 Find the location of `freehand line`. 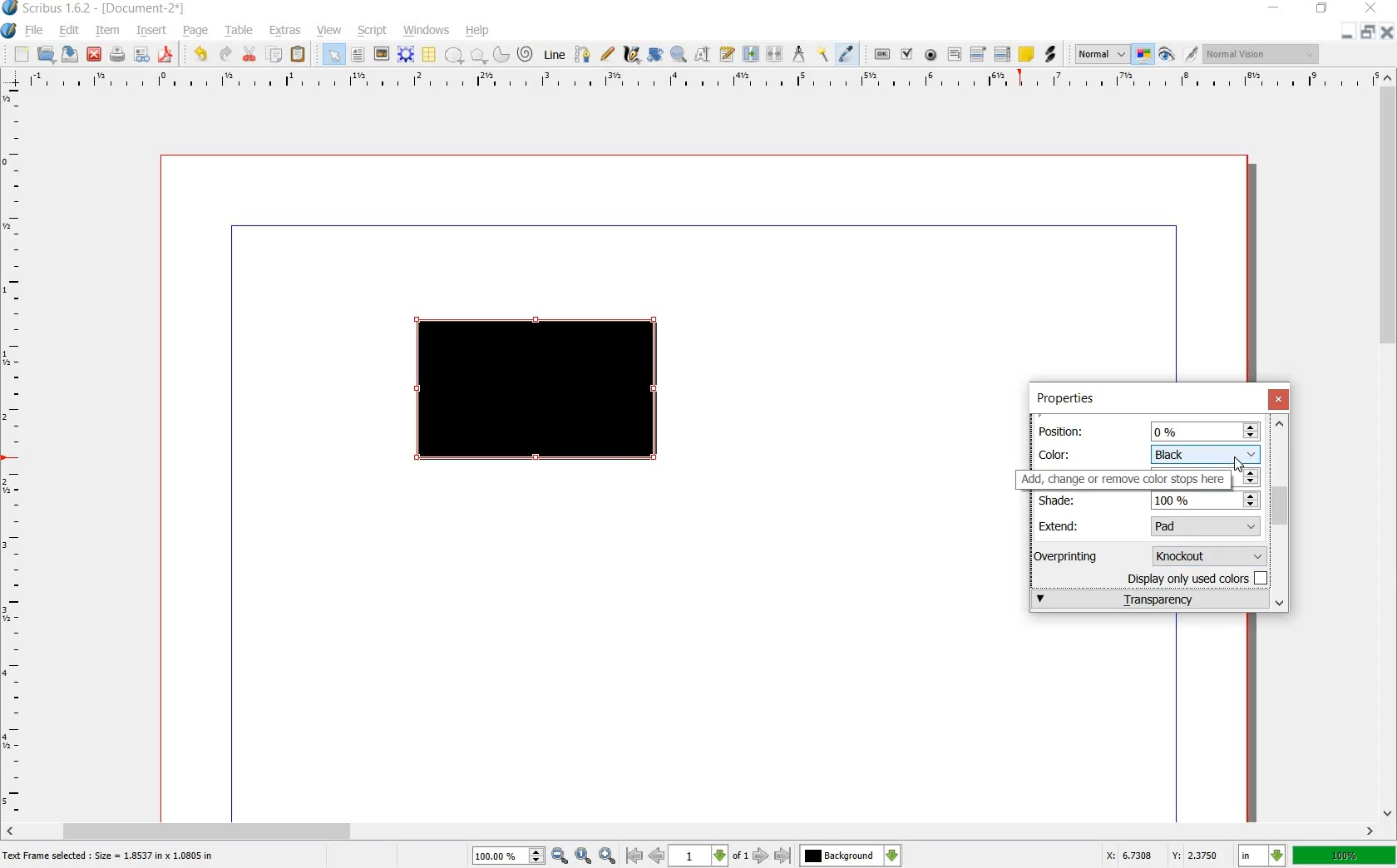

freehand line is located at coordinates (607, 53).